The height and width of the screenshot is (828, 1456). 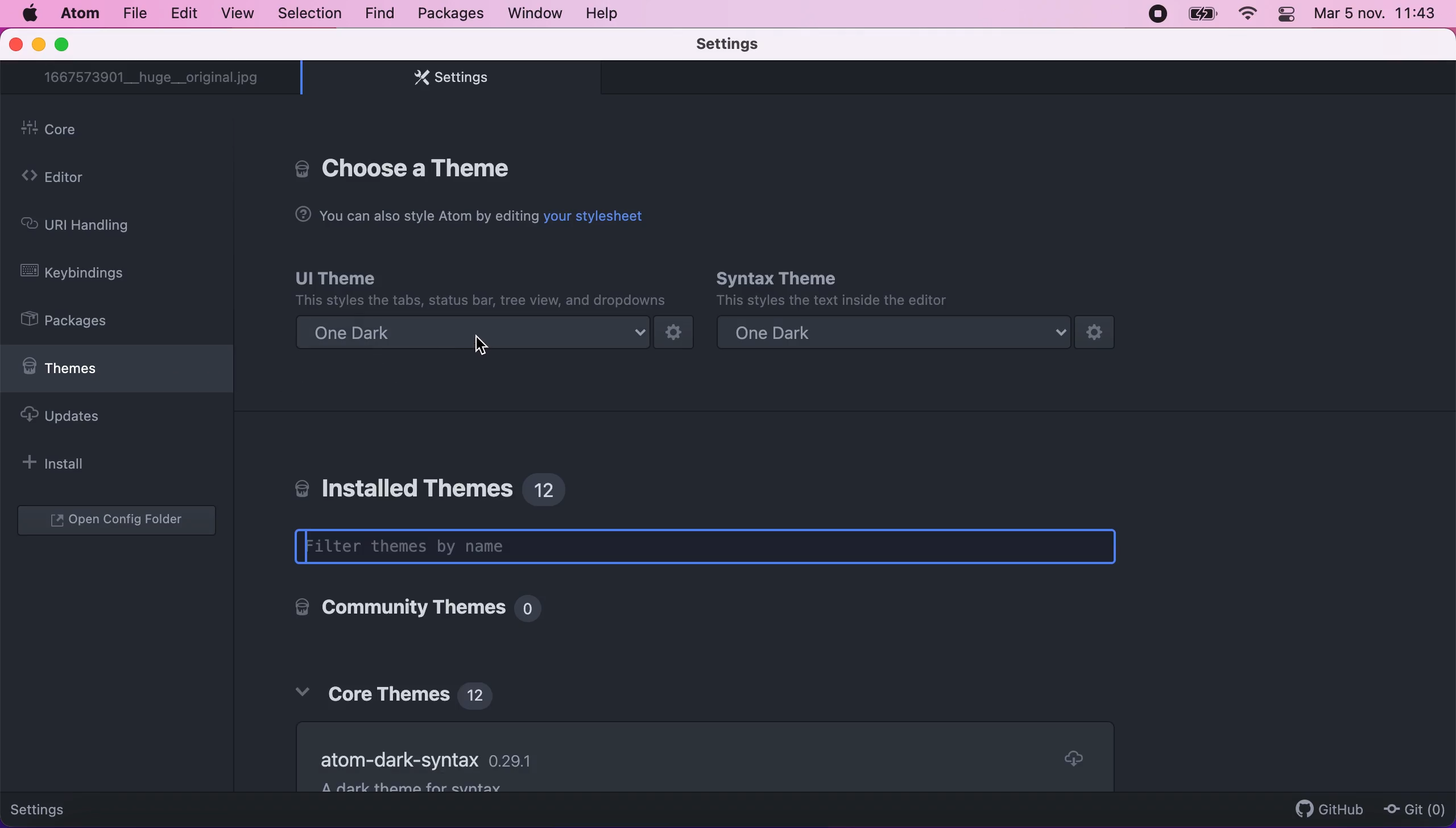 I want to click on editor, so click(x=88, y=179).